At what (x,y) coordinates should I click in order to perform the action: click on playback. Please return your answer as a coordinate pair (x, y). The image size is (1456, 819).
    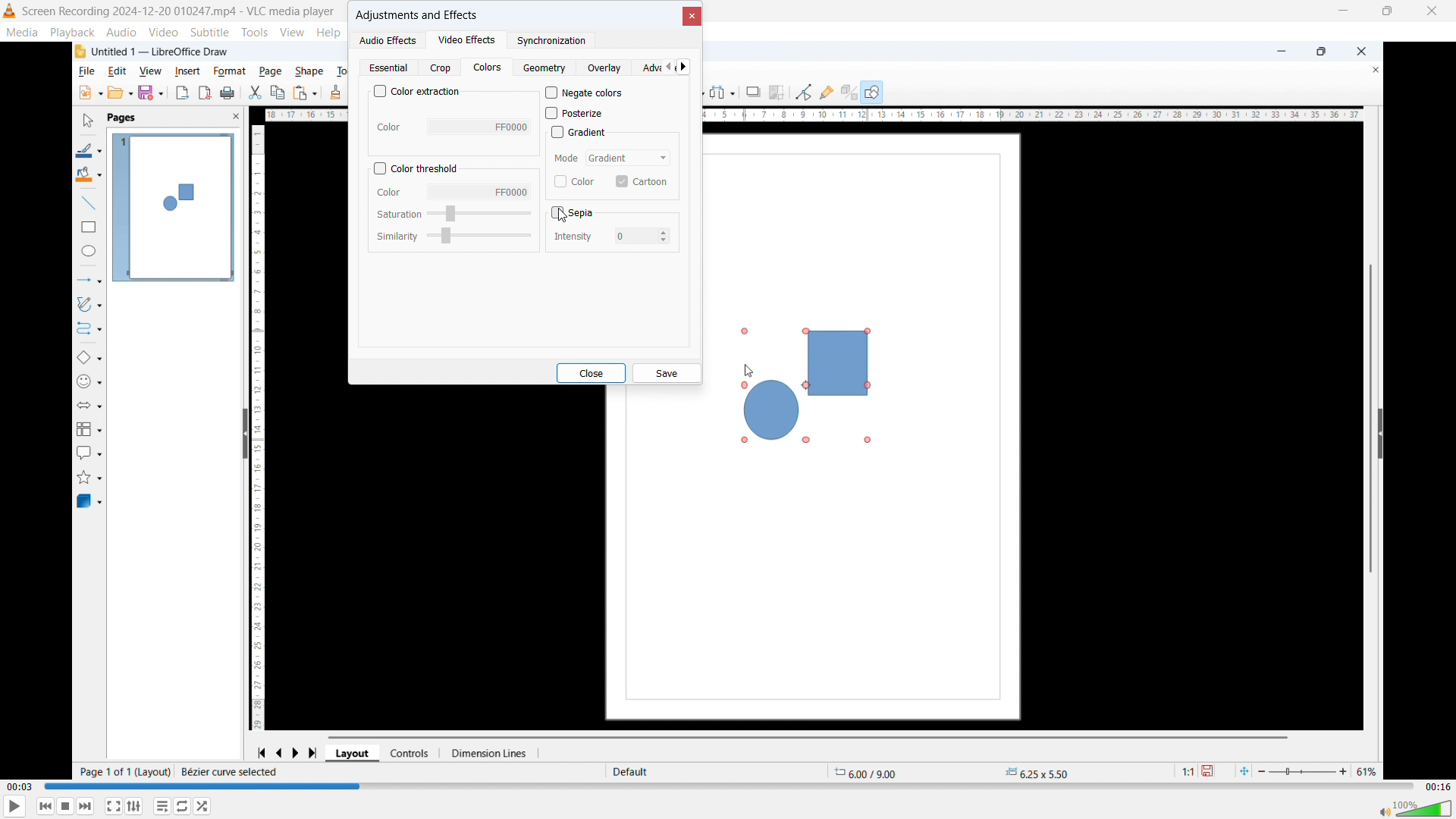
    Looking at the image, I should click on (72, 32).